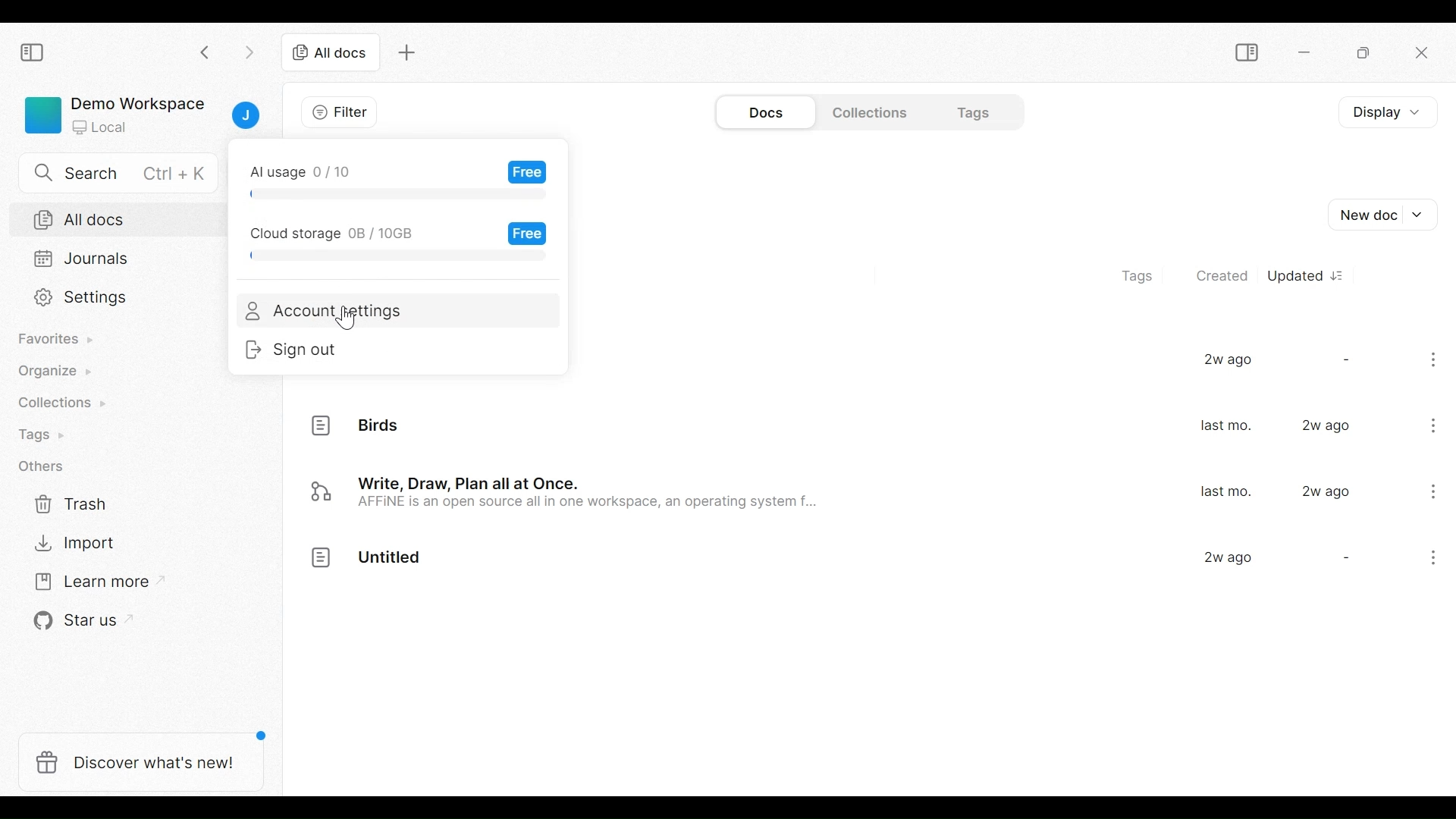  What do you see at coordinates (1423, 55) in the screenshot?
I see `Close` at bounding box center [1423, 55].